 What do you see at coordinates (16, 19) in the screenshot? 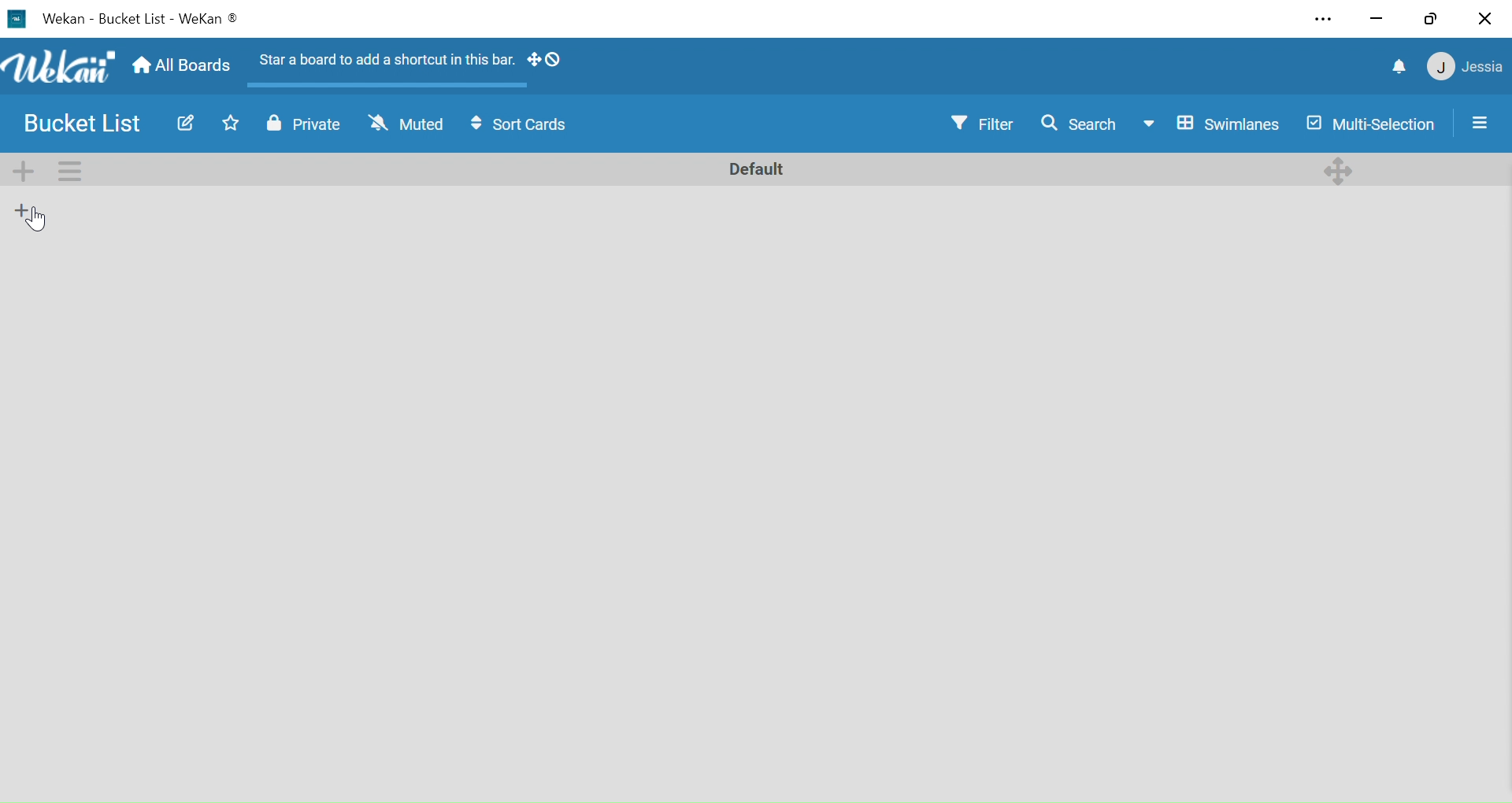
I see `Wekan Desktop icon` at bounding box center [16, 19].